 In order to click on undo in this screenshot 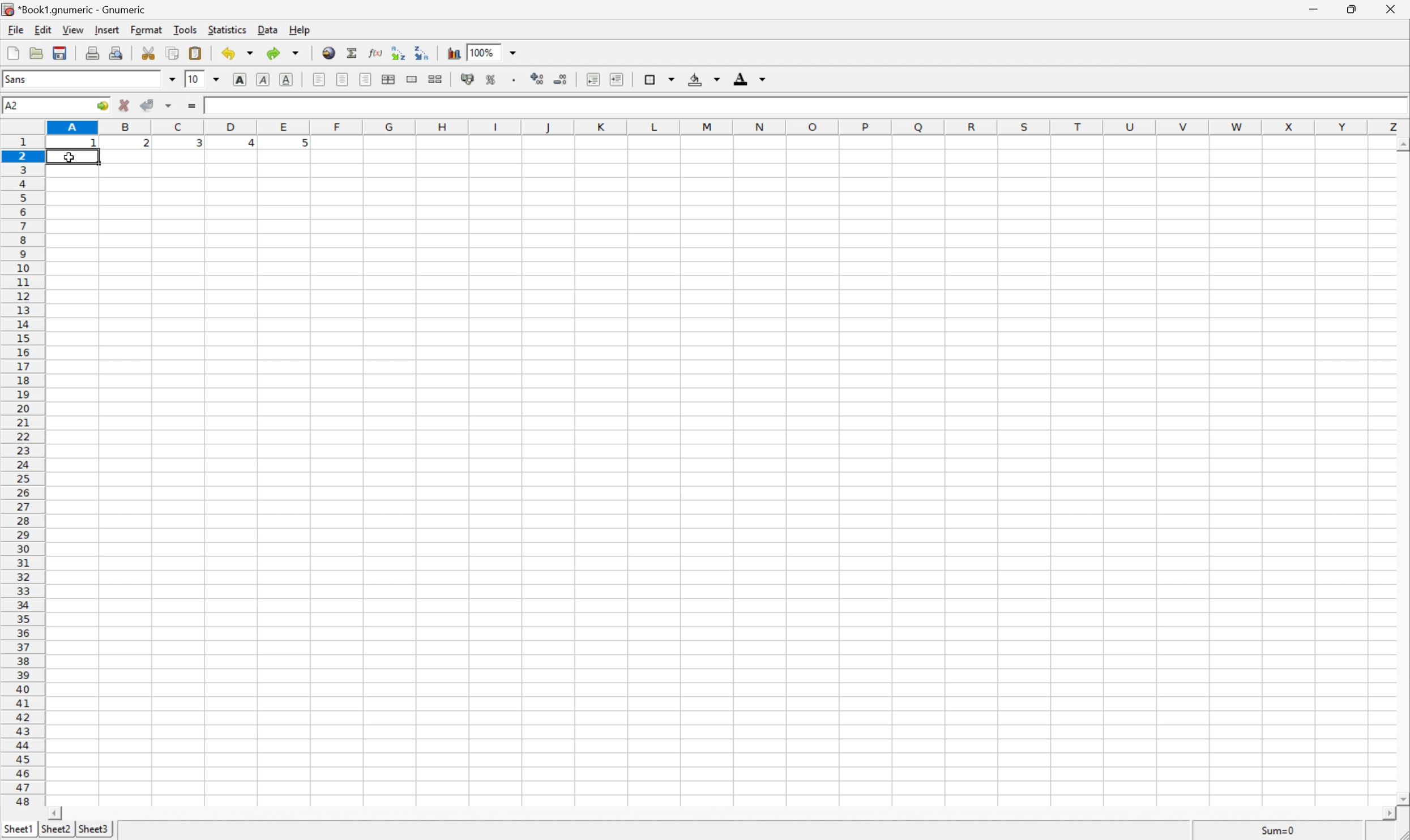, I will do `click(238, 52)`.